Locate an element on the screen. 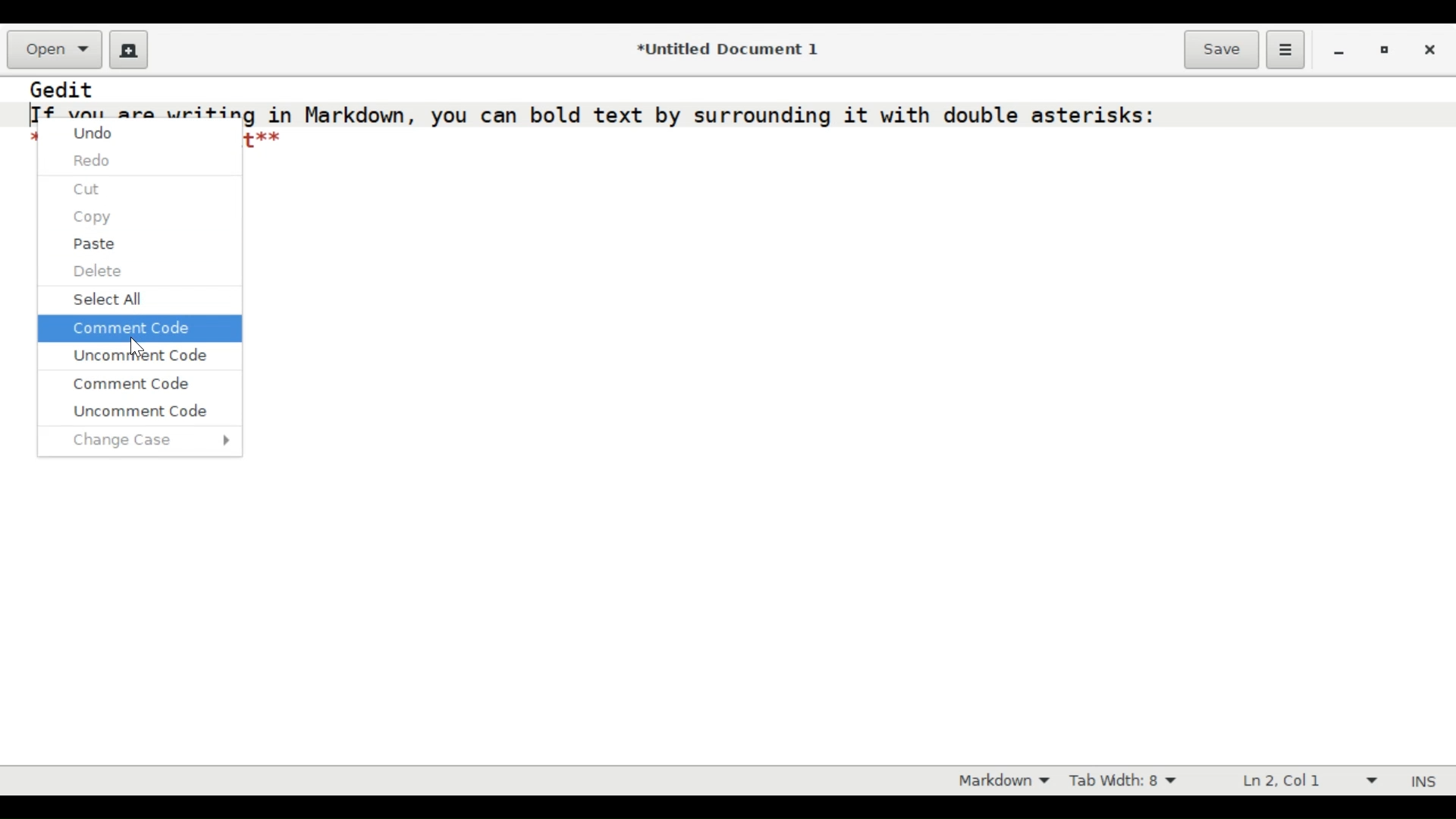 This screenshot has height=819, width=1456. Save is located at coordinates (1221, 48).